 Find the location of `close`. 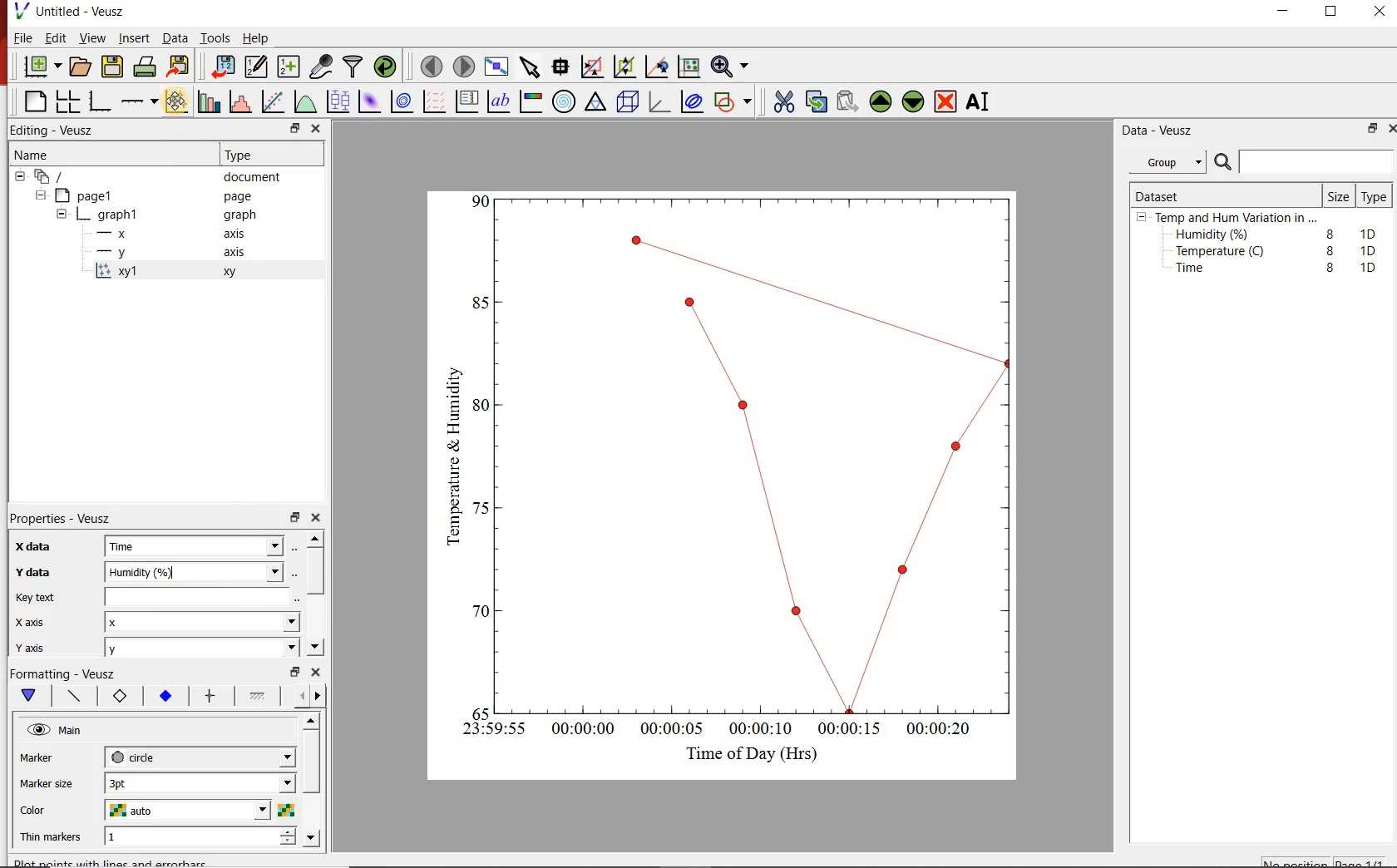

close is located at coordinates (1389, 128).